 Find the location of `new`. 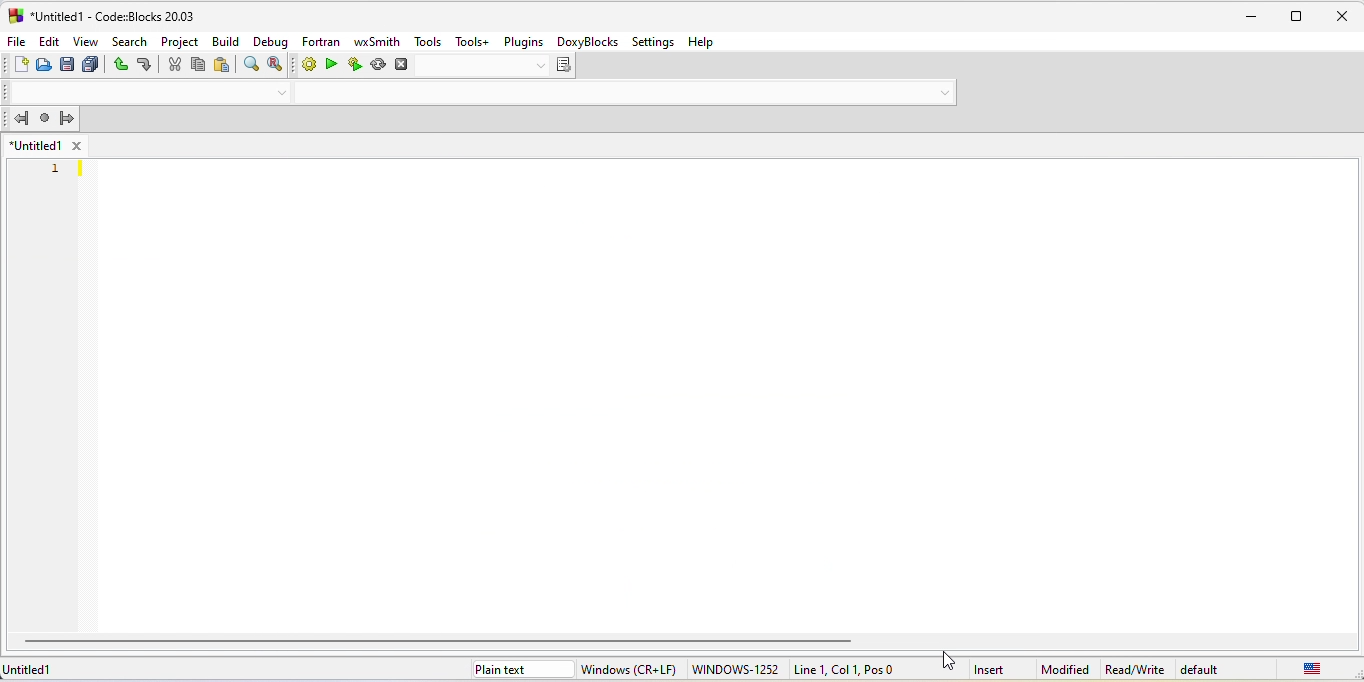

new is located at coordinates (21, 65).